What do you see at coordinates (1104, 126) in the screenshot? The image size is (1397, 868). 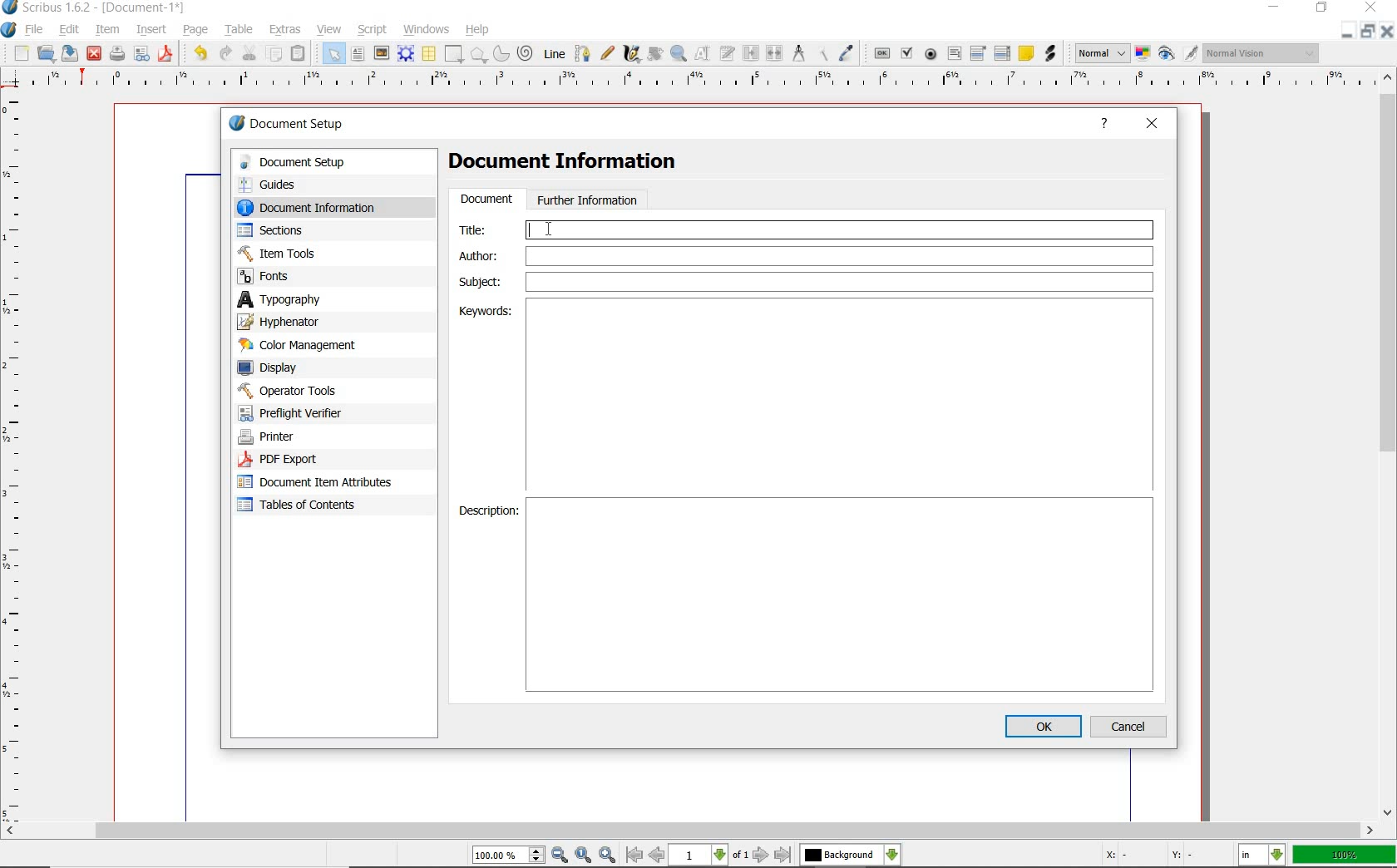 I see `help` at bounding box center [1104, 126].